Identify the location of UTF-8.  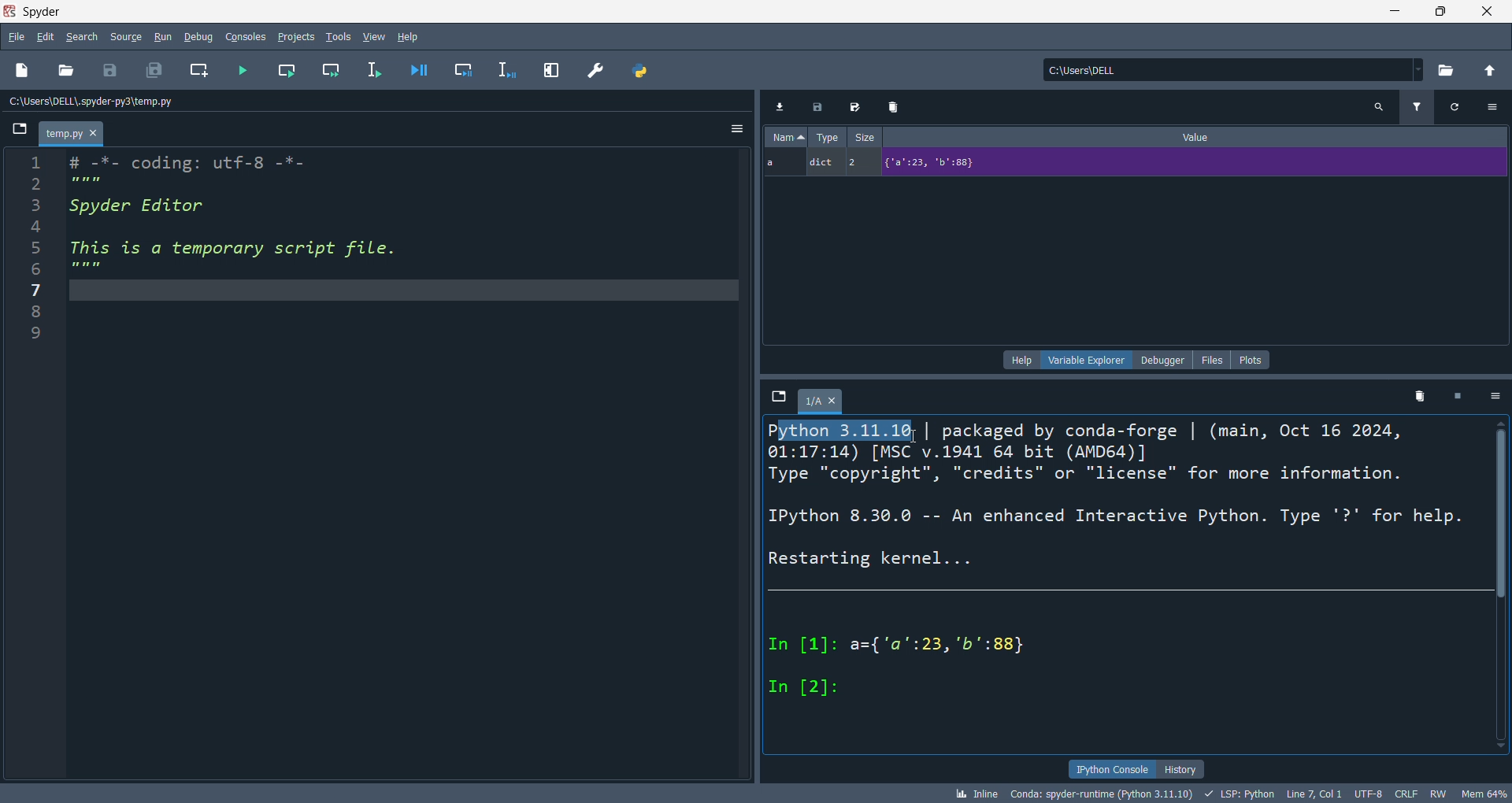
(1366, 794).